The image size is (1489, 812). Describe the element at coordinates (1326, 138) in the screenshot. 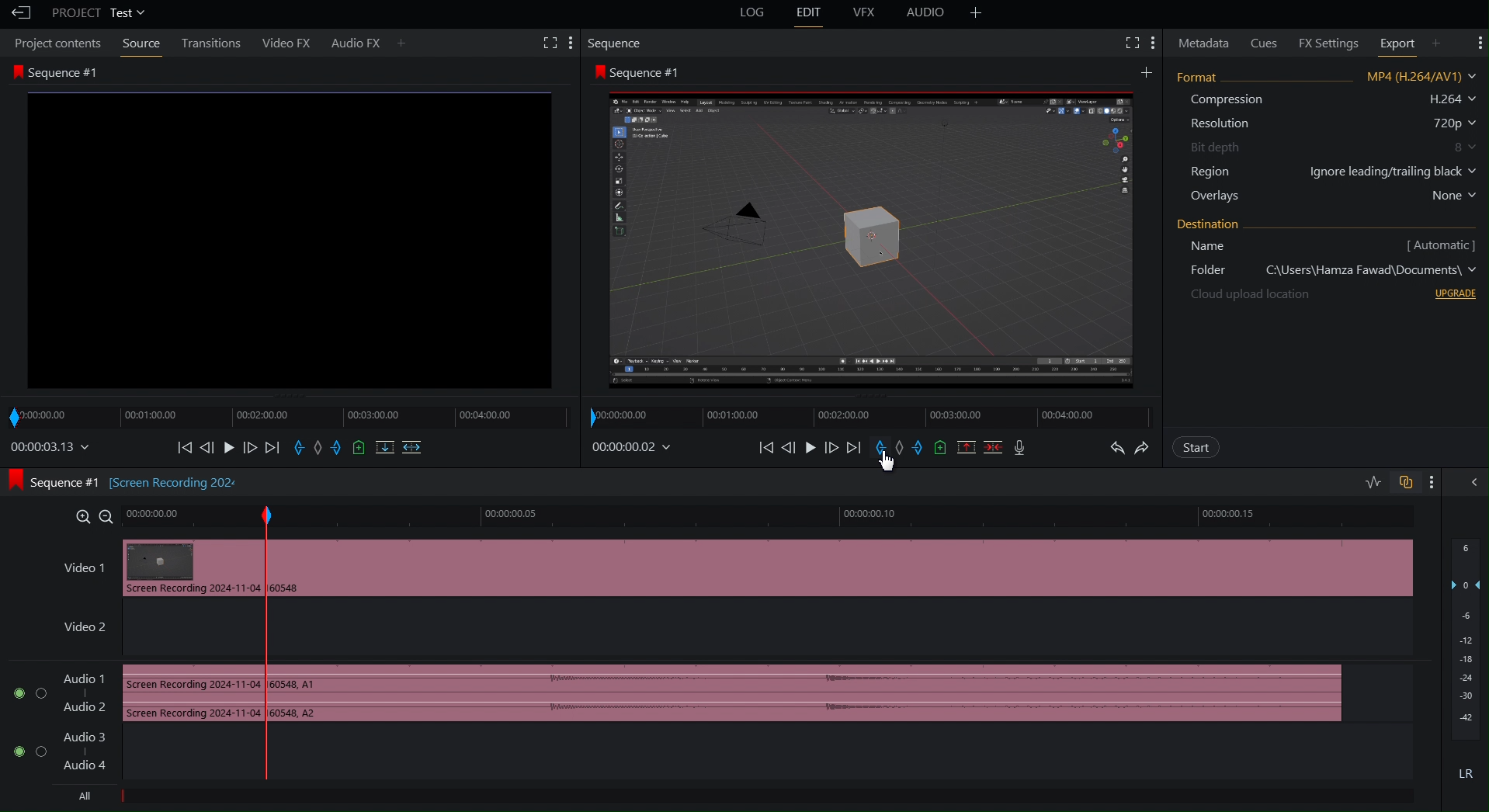

I see `Format` at that location.